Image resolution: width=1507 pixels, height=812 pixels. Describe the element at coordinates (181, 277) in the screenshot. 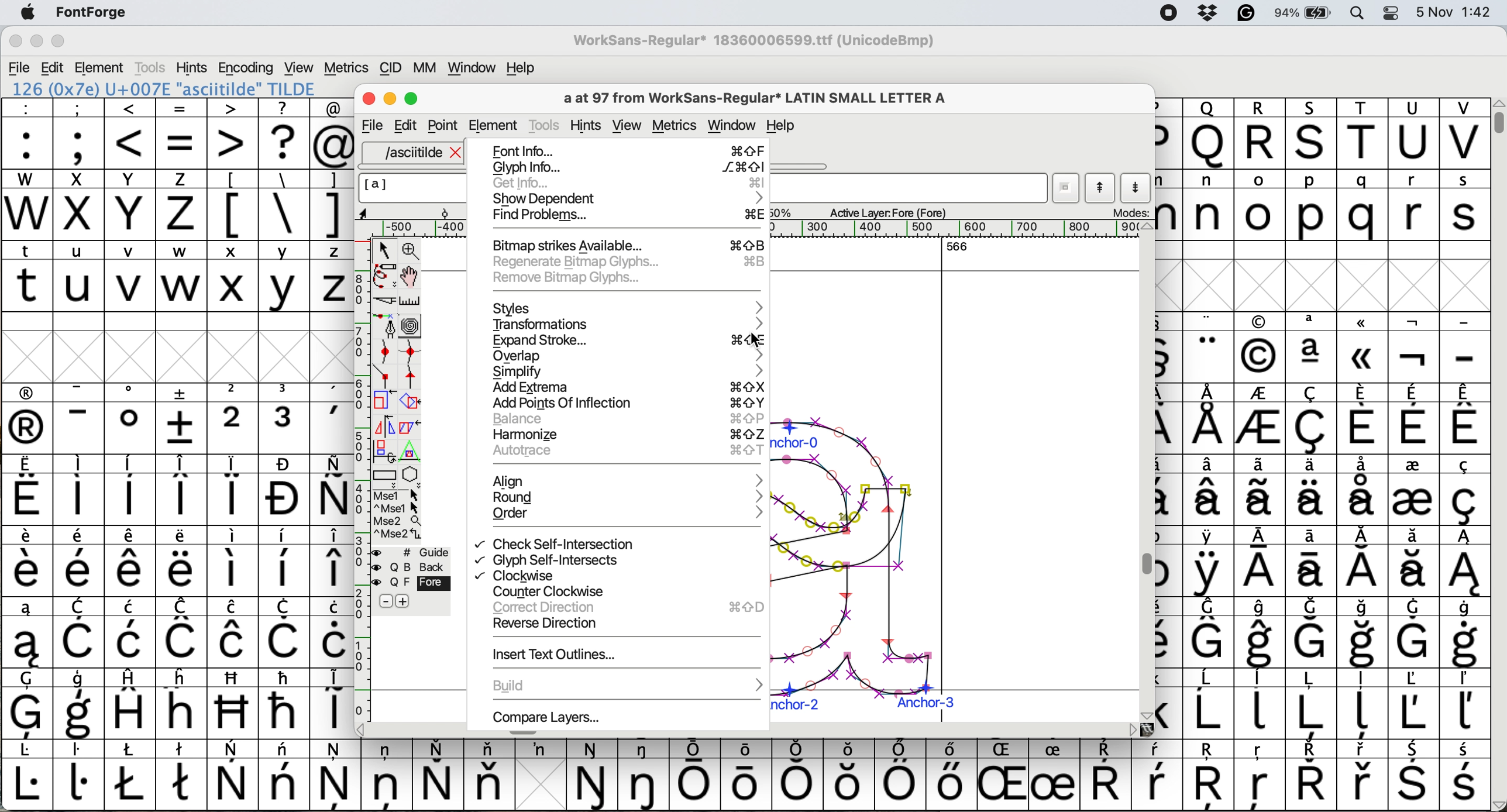

I see `w` at that location.